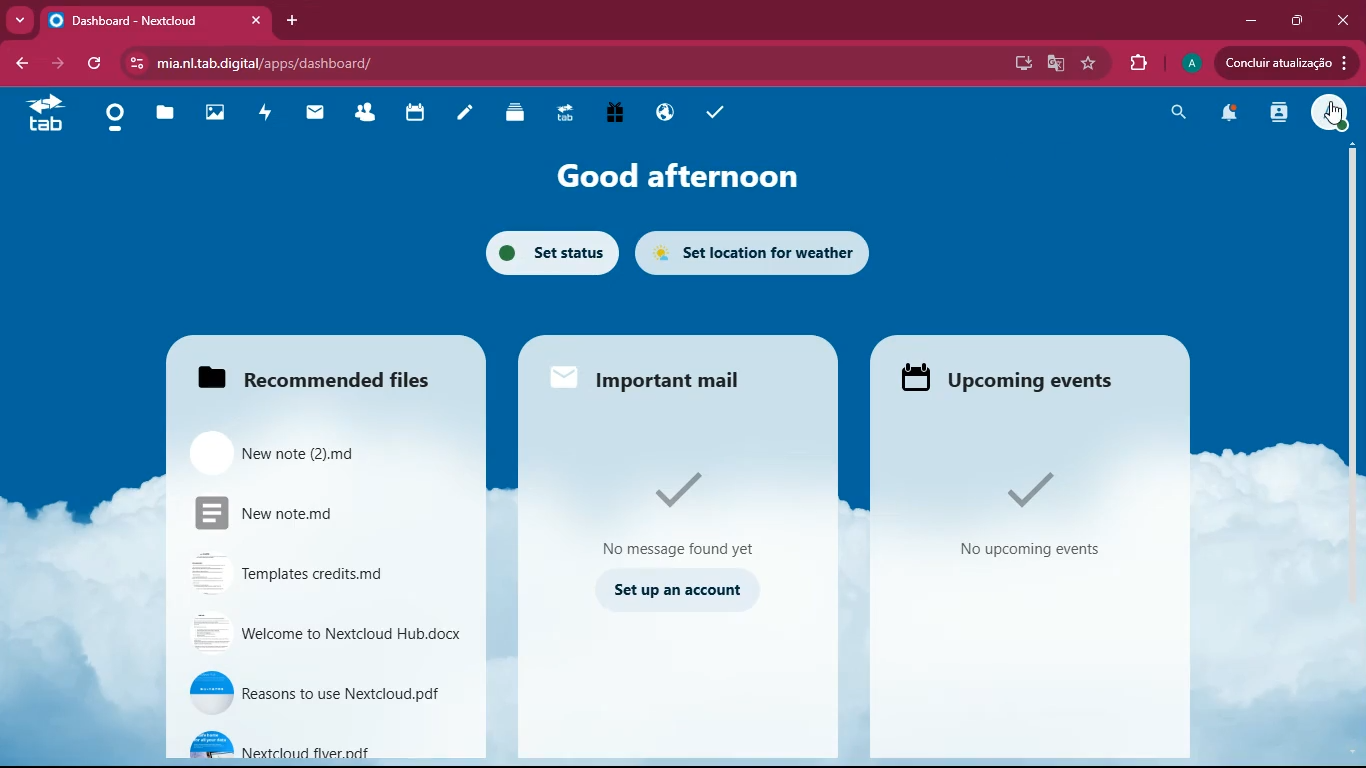 This screenshot has height=768, width=1366. I want to click on set status, so click(544, 252).